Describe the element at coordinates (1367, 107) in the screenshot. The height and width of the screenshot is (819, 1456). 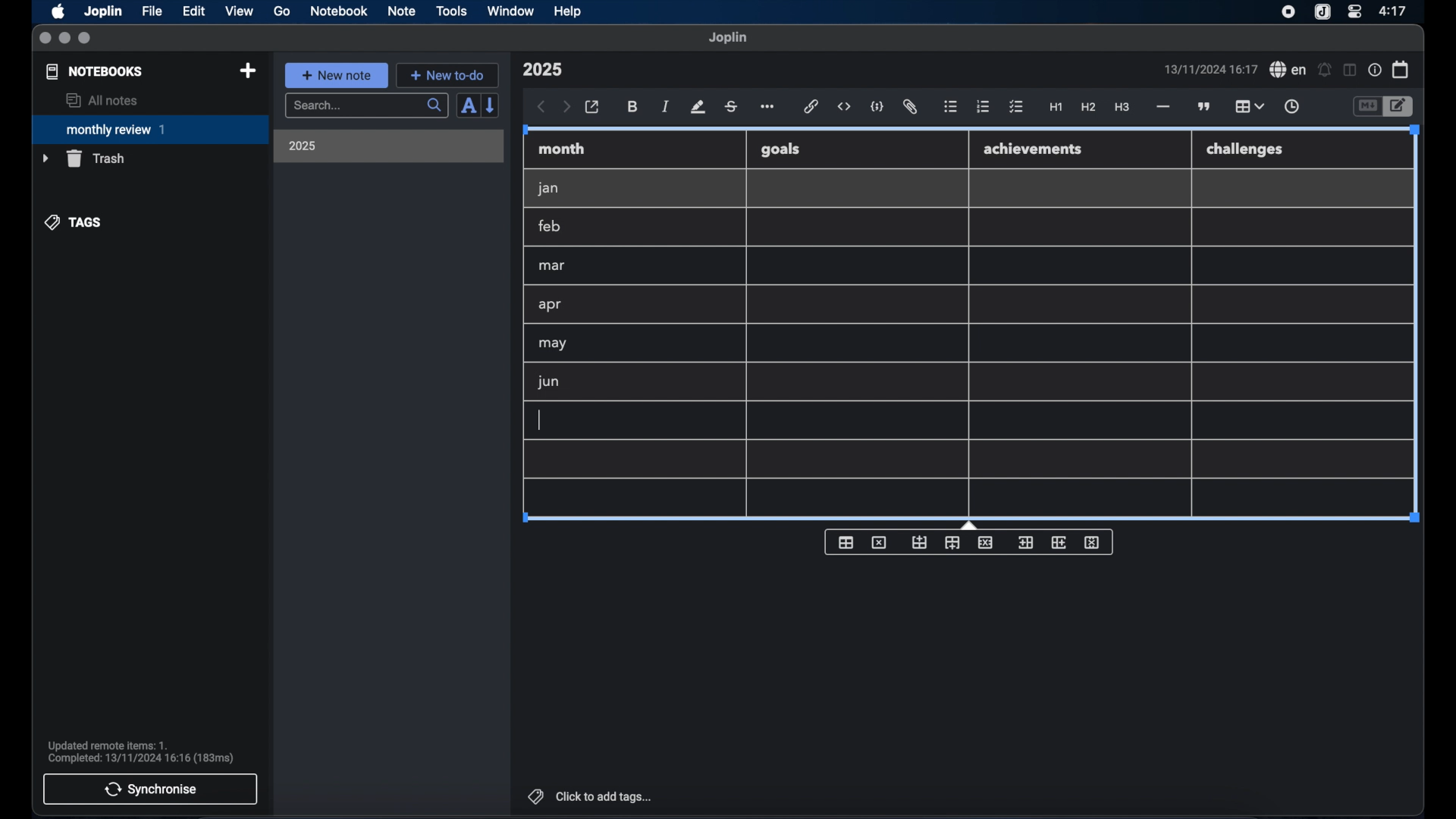
I see `toggle editor` at that location.